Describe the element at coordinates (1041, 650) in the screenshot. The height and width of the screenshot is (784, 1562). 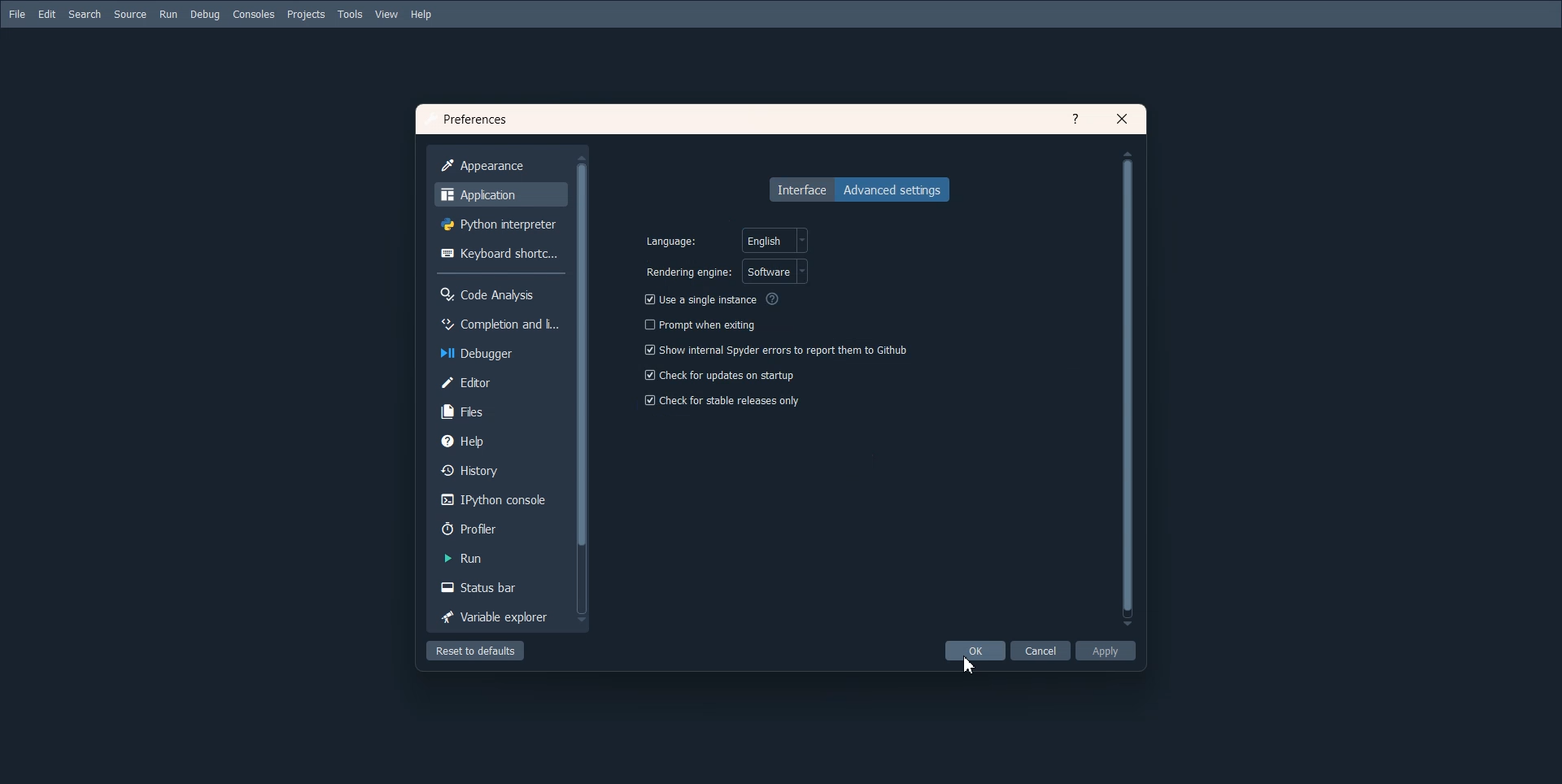
I see `Cancel` at that location.